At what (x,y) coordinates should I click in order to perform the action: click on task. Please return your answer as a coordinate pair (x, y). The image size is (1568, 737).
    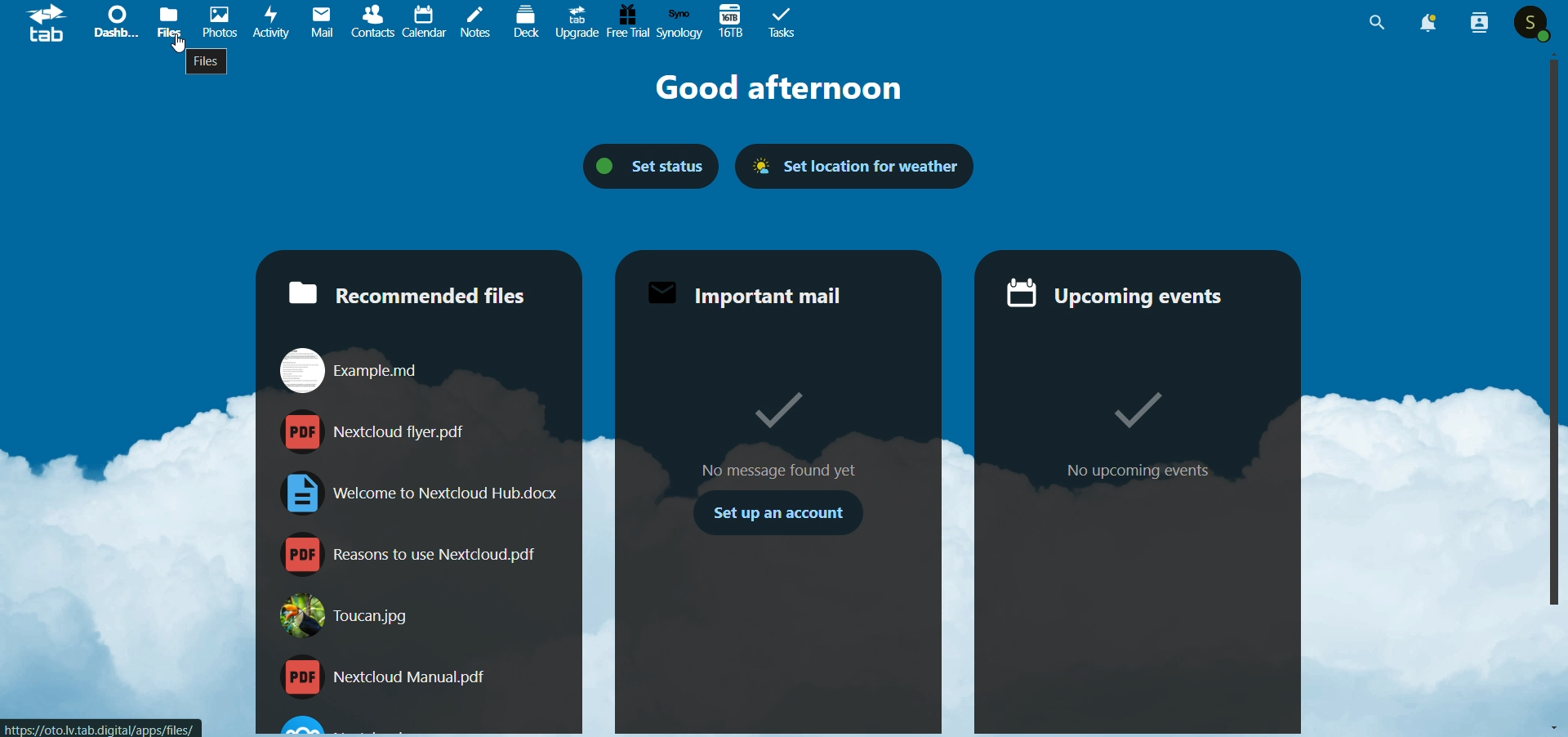
    Looking at the image, I should click on (786, 23).